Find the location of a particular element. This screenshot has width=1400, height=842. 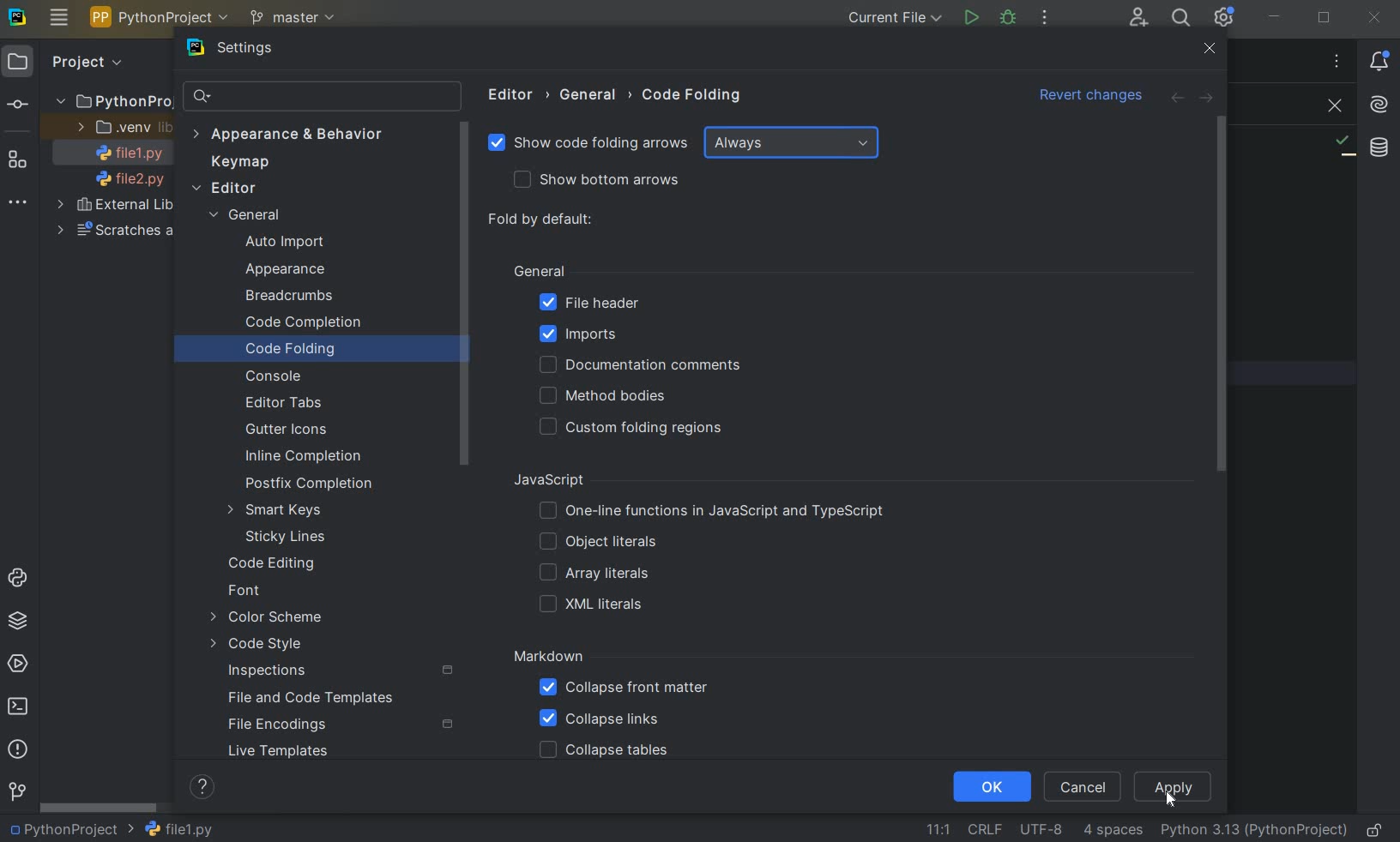

SYSTEM LOGO is located at coordinates (19, 18).